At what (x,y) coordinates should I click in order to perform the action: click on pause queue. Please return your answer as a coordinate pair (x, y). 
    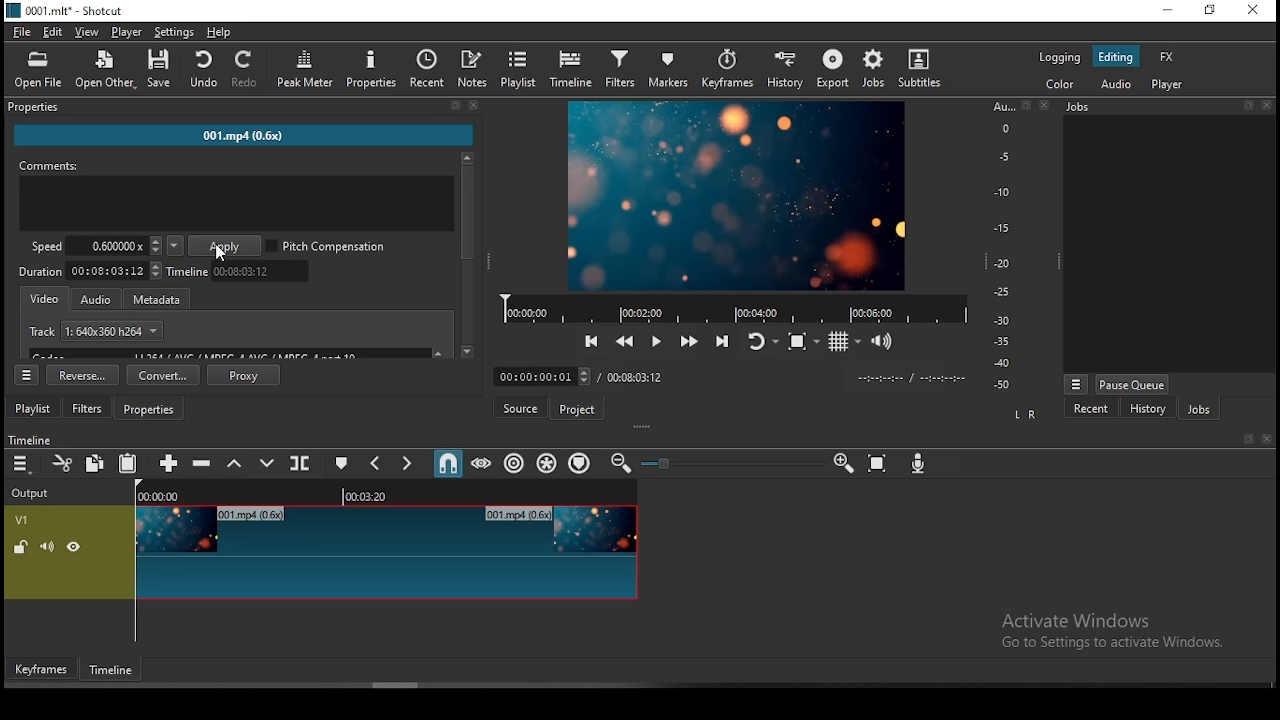
    Looking at the image, I should click on (1132, 386).